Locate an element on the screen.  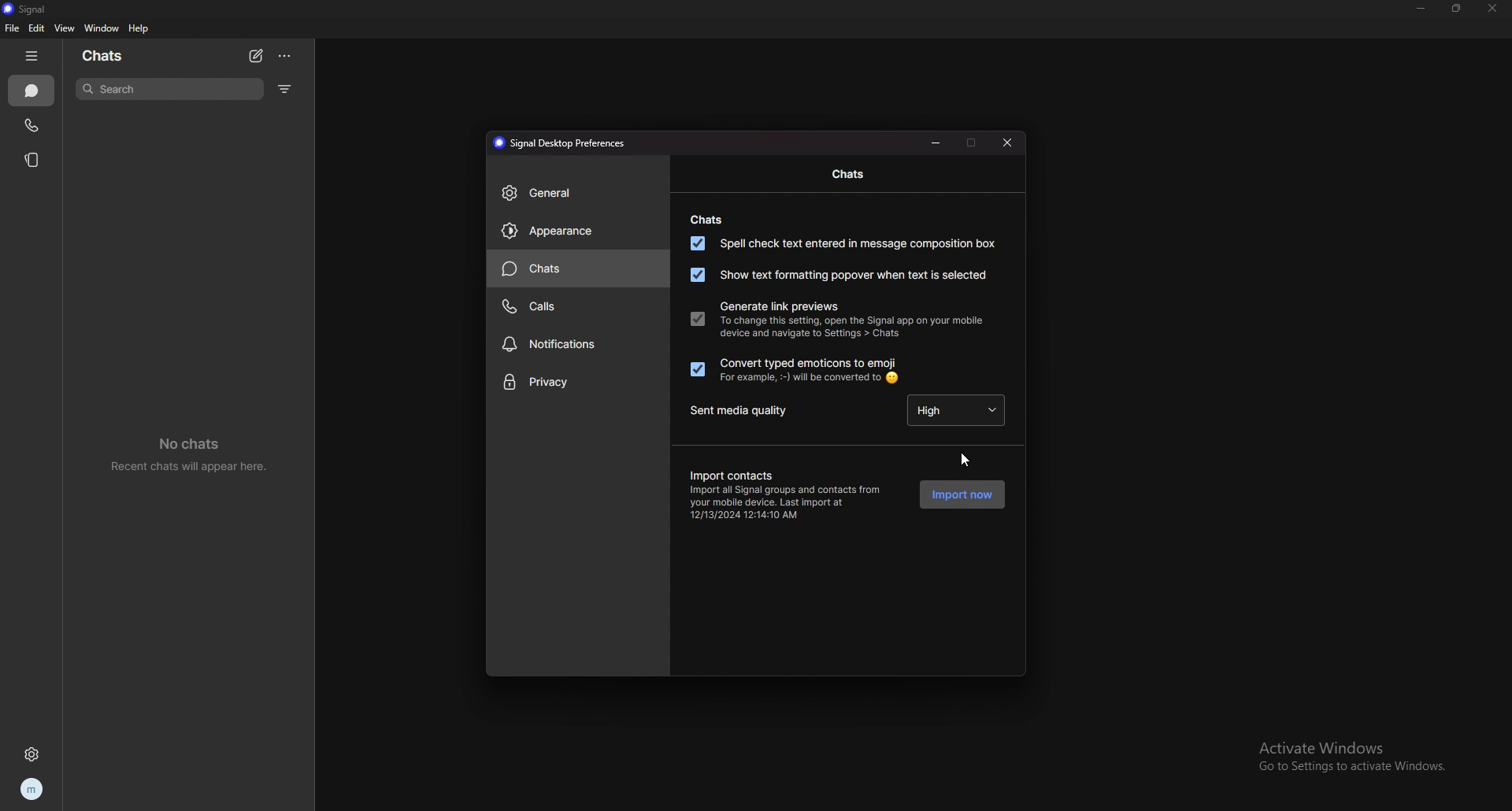
cursor is located at coordinates (965, 458).